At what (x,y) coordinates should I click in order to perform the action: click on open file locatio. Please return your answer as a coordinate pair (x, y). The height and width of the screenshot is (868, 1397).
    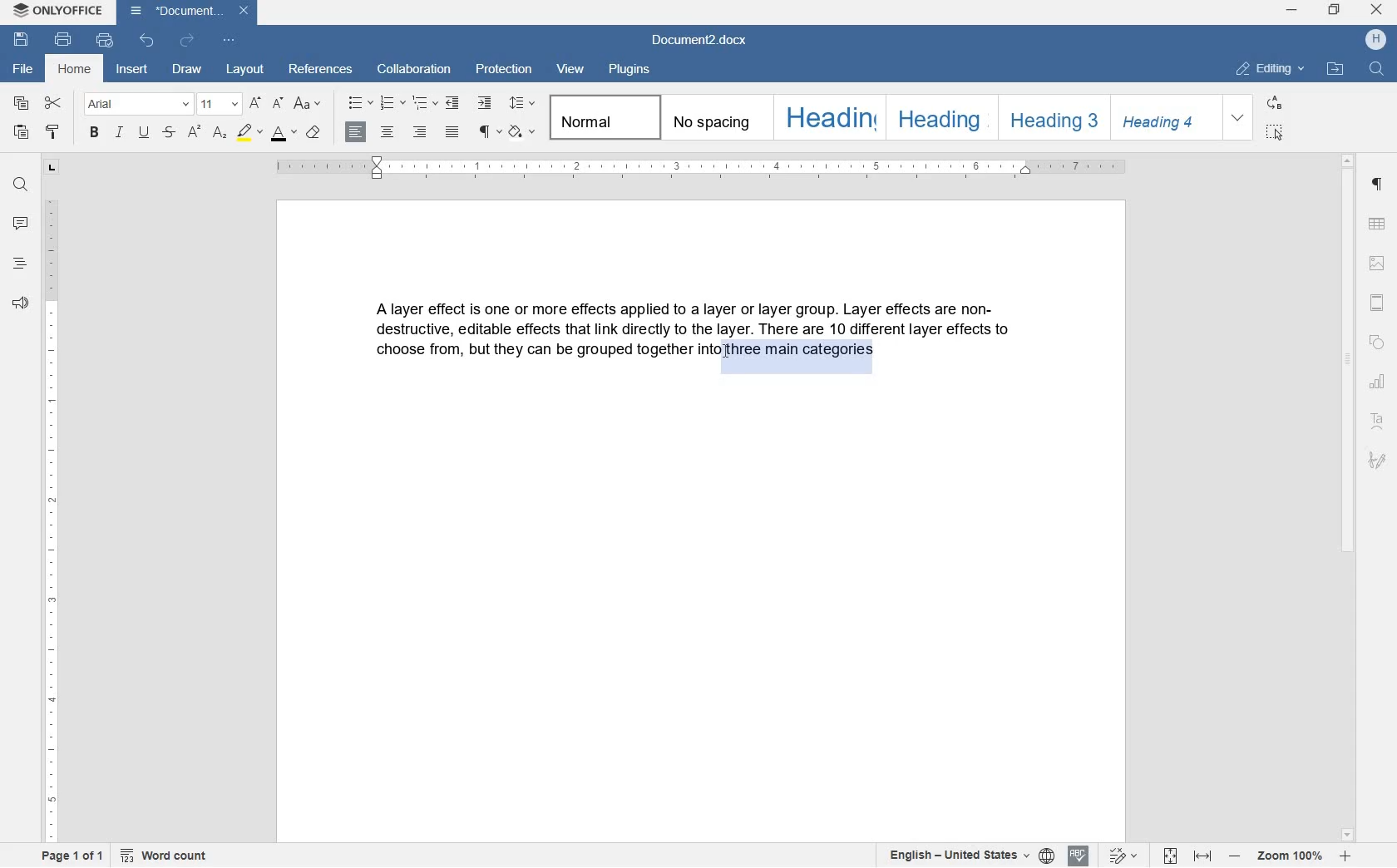
    Looking at the image, I should click on (1335, 69).